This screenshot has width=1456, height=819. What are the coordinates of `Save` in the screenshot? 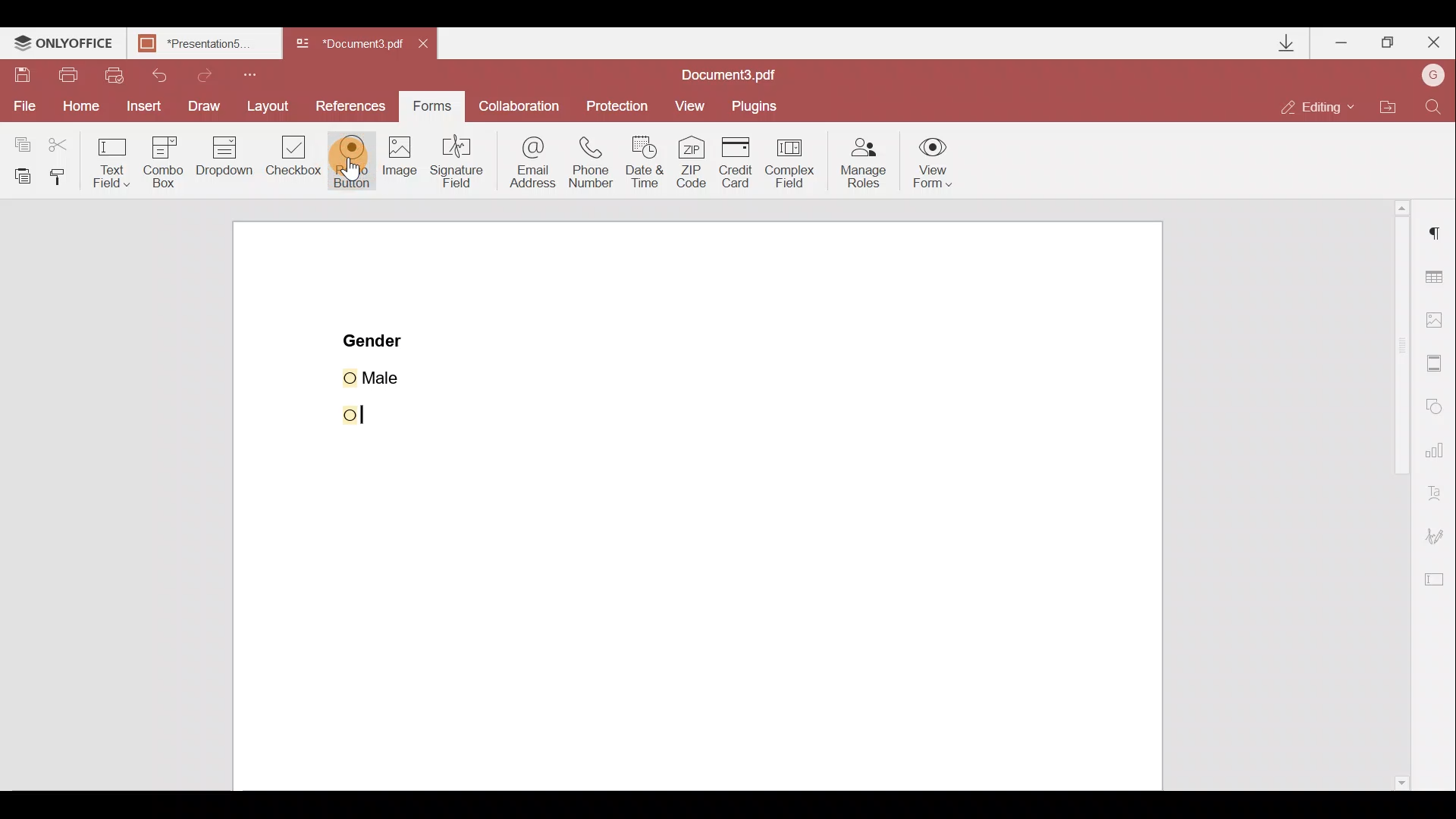 It's located at (24, 76).